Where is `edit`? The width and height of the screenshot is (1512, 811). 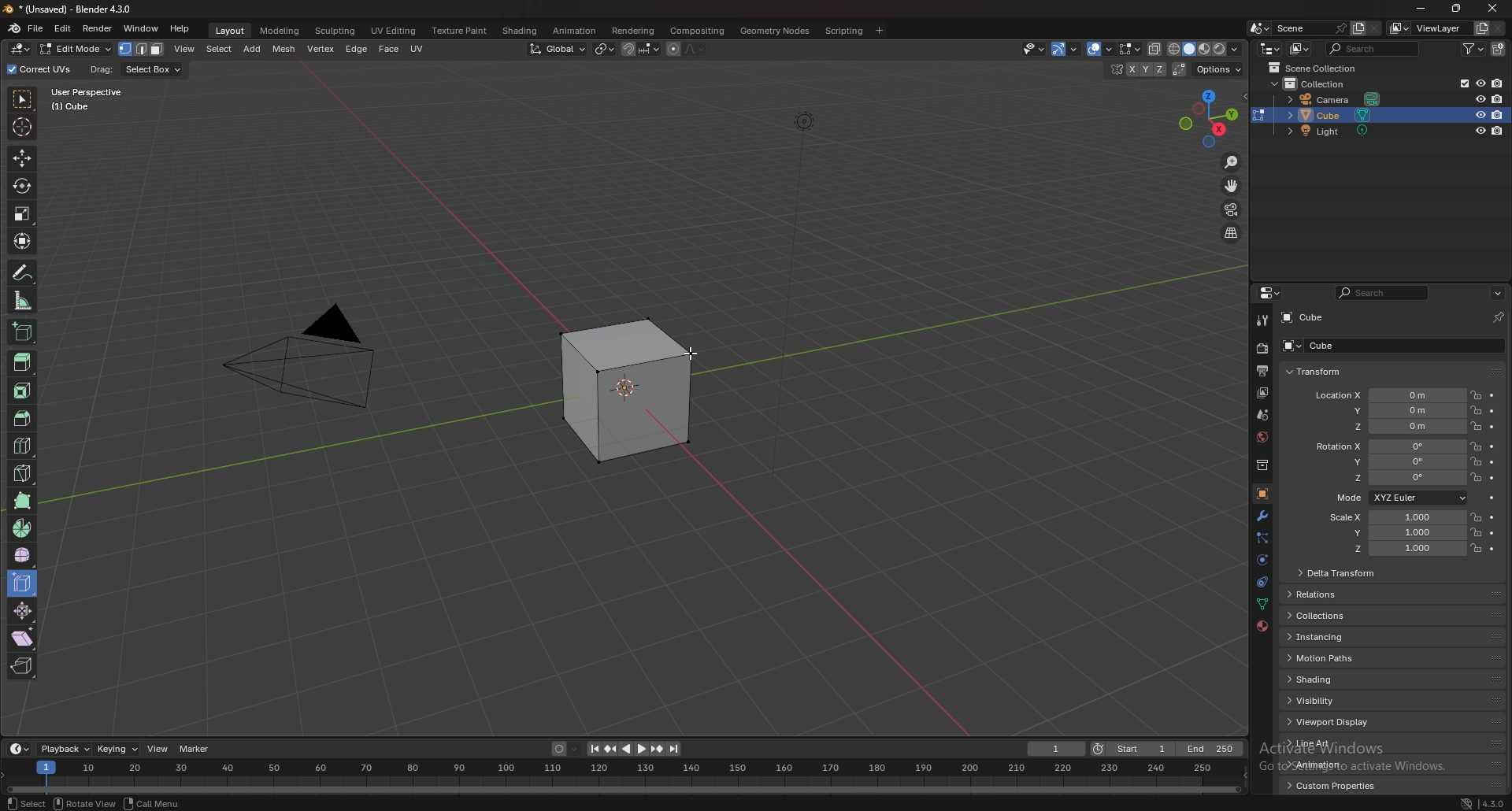
edit is located at coordinates (63, 30).